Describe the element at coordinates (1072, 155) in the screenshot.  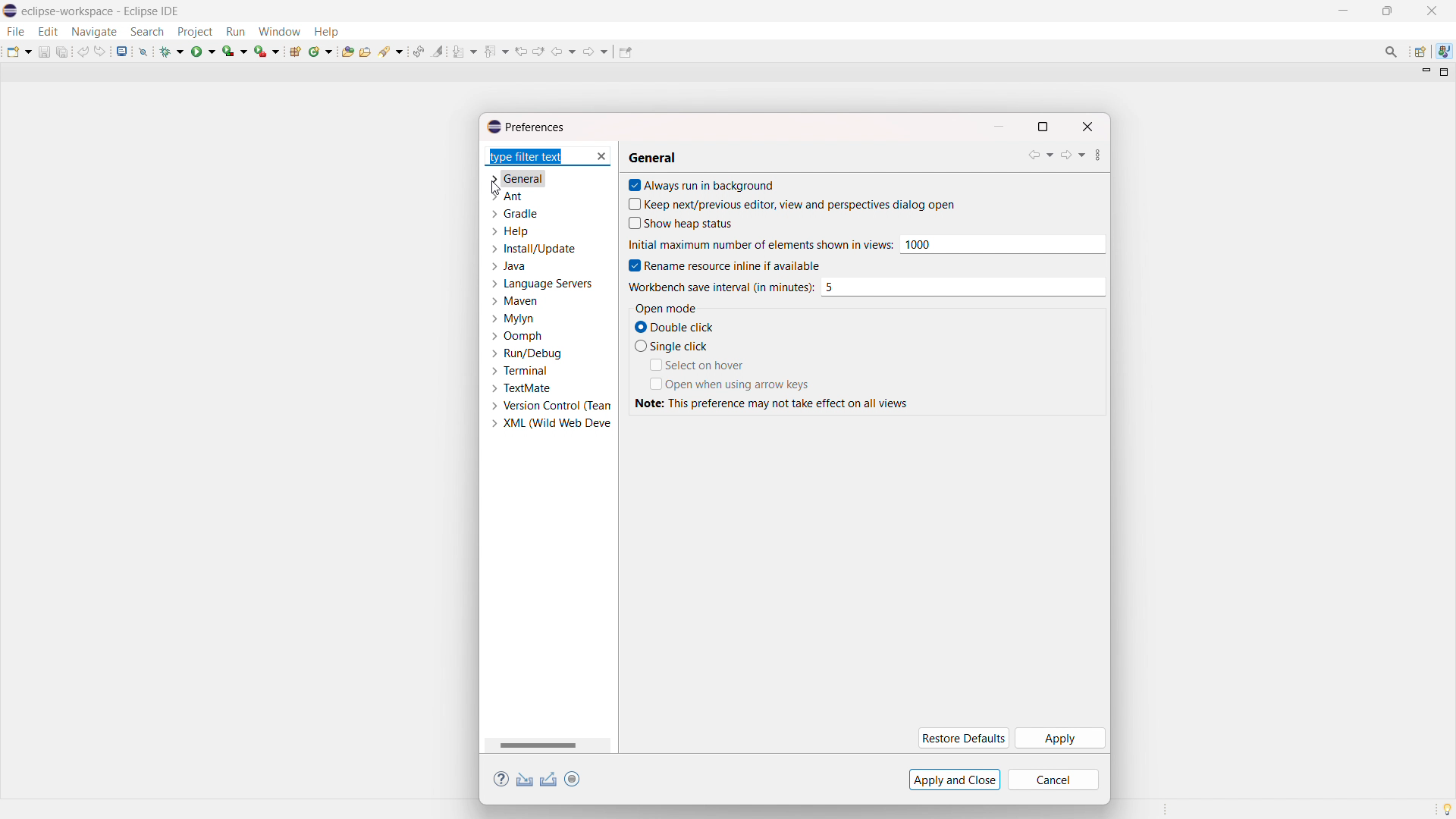
I see `forward` at that location.